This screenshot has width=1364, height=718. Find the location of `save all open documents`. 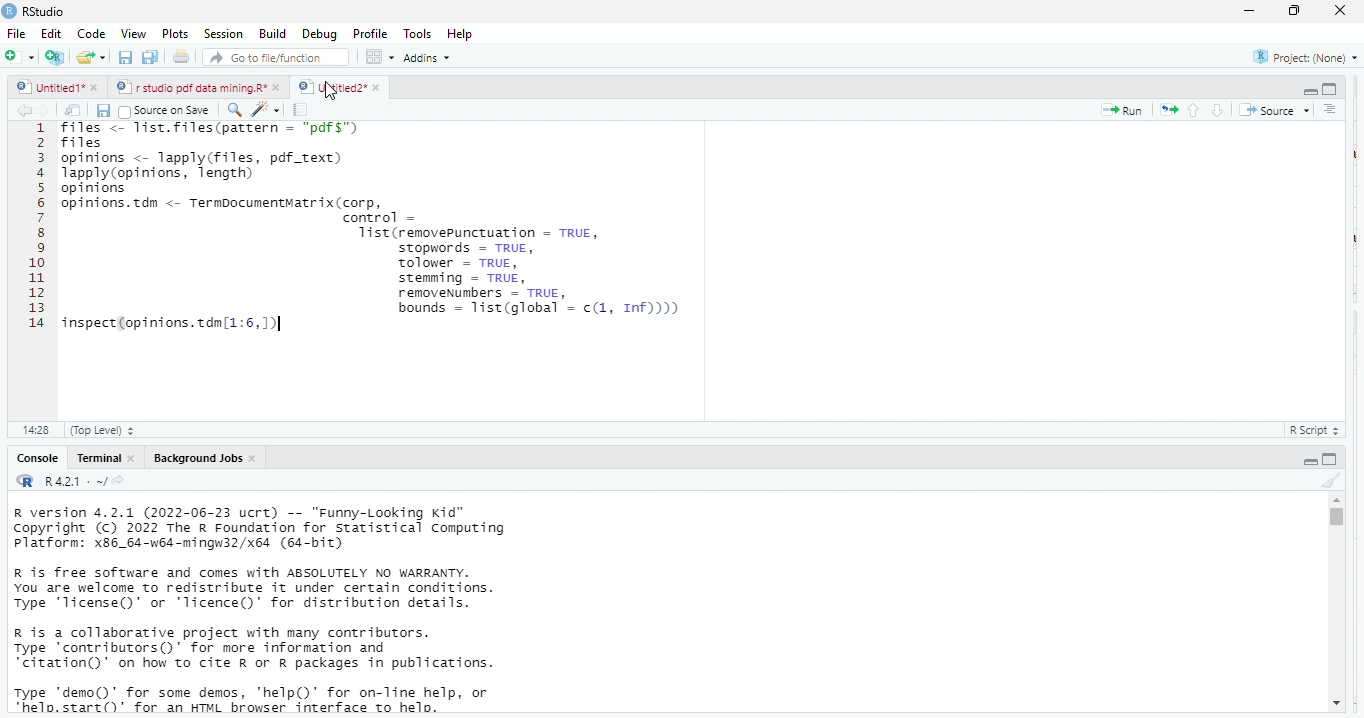

save all open documents is located at coordinates (151, 58).